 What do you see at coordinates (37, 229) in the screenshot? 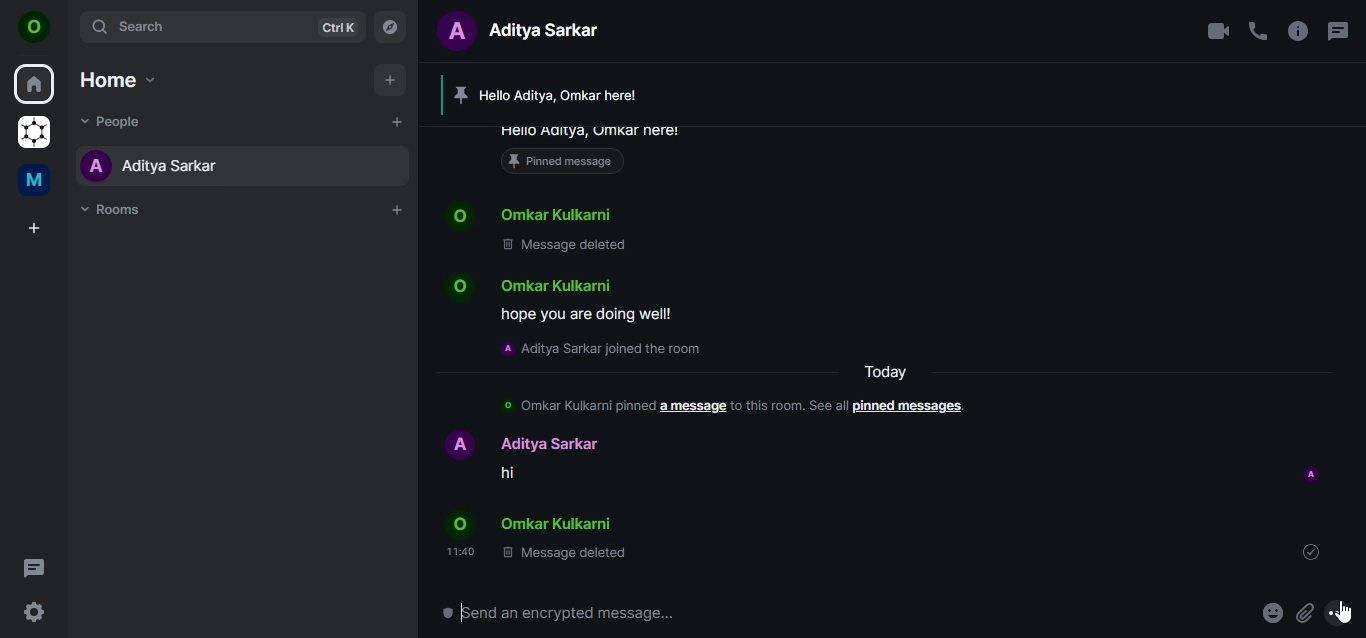
I see `create a space` at bounding box center [37, 229].